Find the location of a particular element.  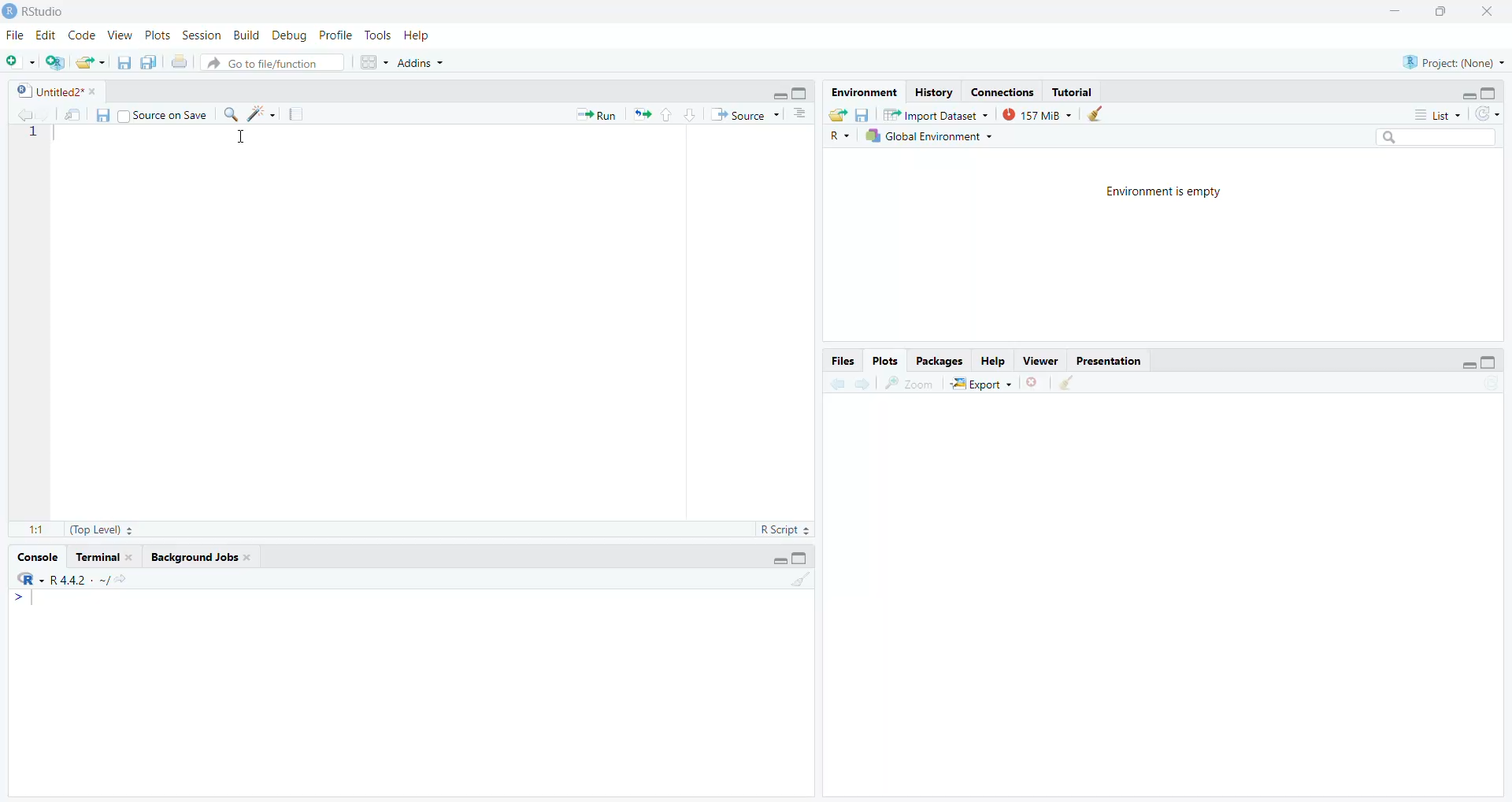

zoom is located at coordinates (908, 384).